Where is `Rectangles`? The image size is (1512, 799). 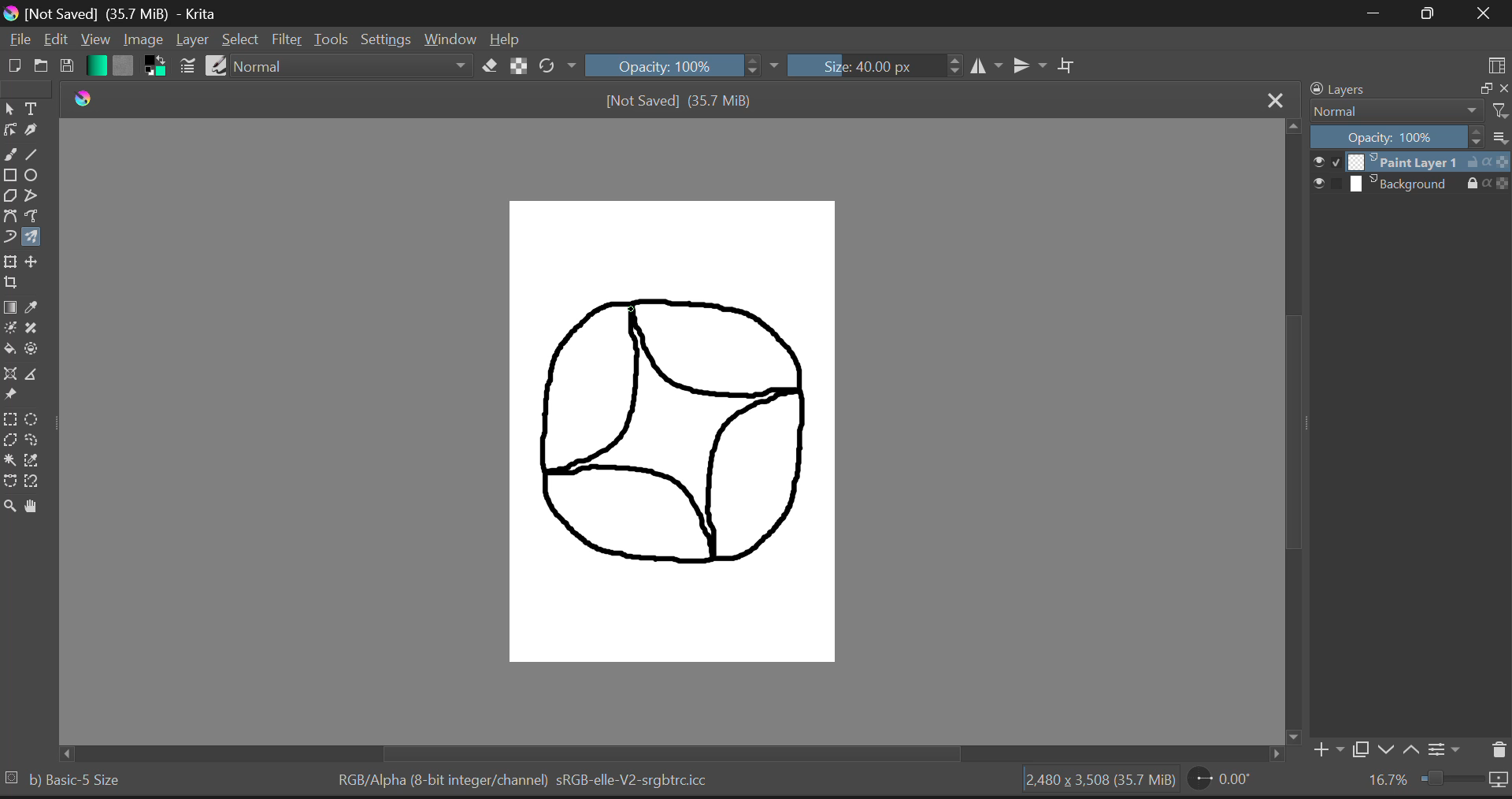 Rectangles is located at coordinates (10, 175).